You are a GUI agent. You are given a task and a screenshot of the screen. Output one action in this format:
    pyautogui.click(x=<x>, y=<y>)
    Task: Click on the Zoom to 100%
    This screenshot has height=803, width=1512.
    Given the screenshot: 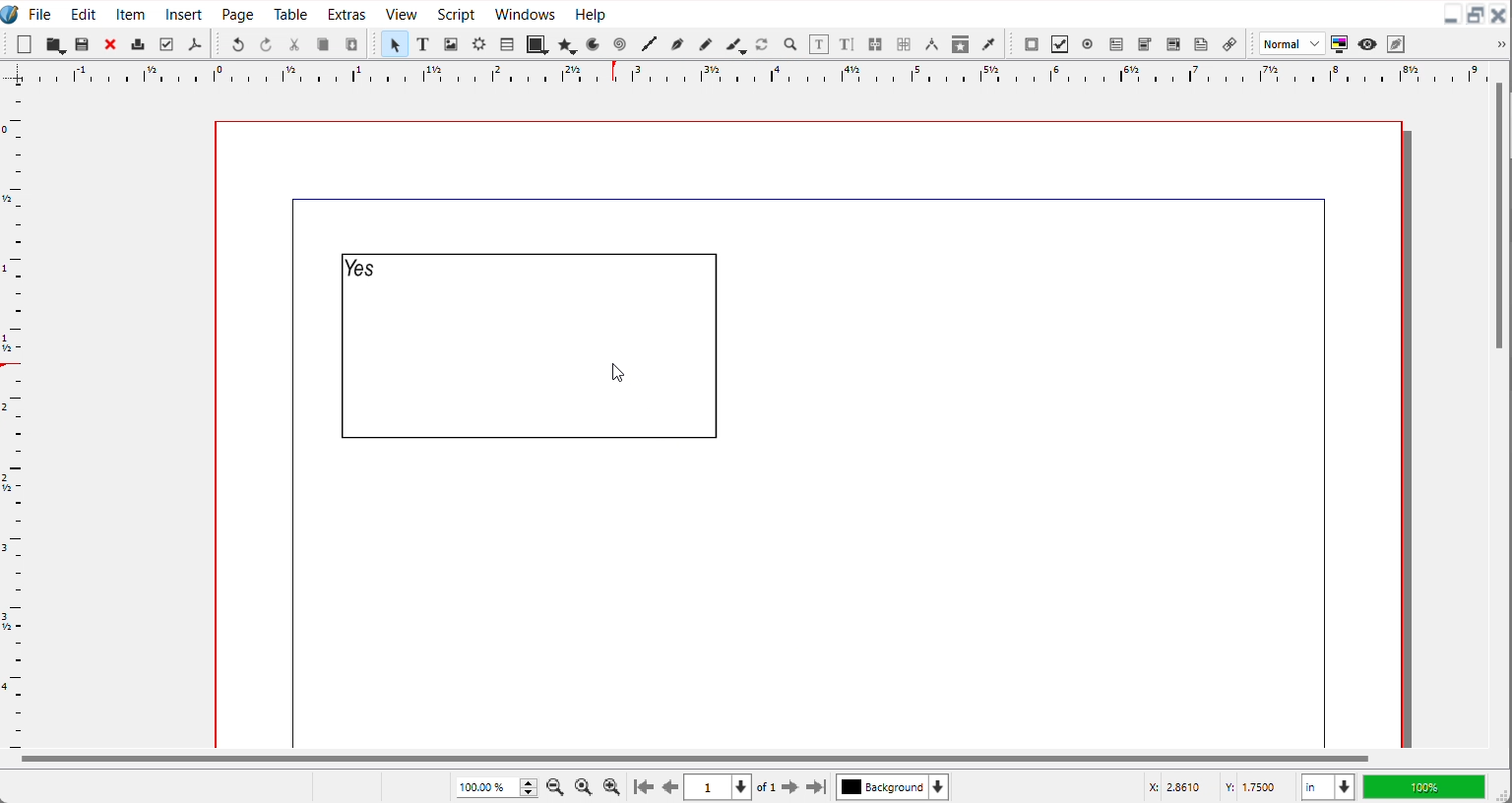 What is the action you would take?
    pyautogui.click(x=585, y=785)
    